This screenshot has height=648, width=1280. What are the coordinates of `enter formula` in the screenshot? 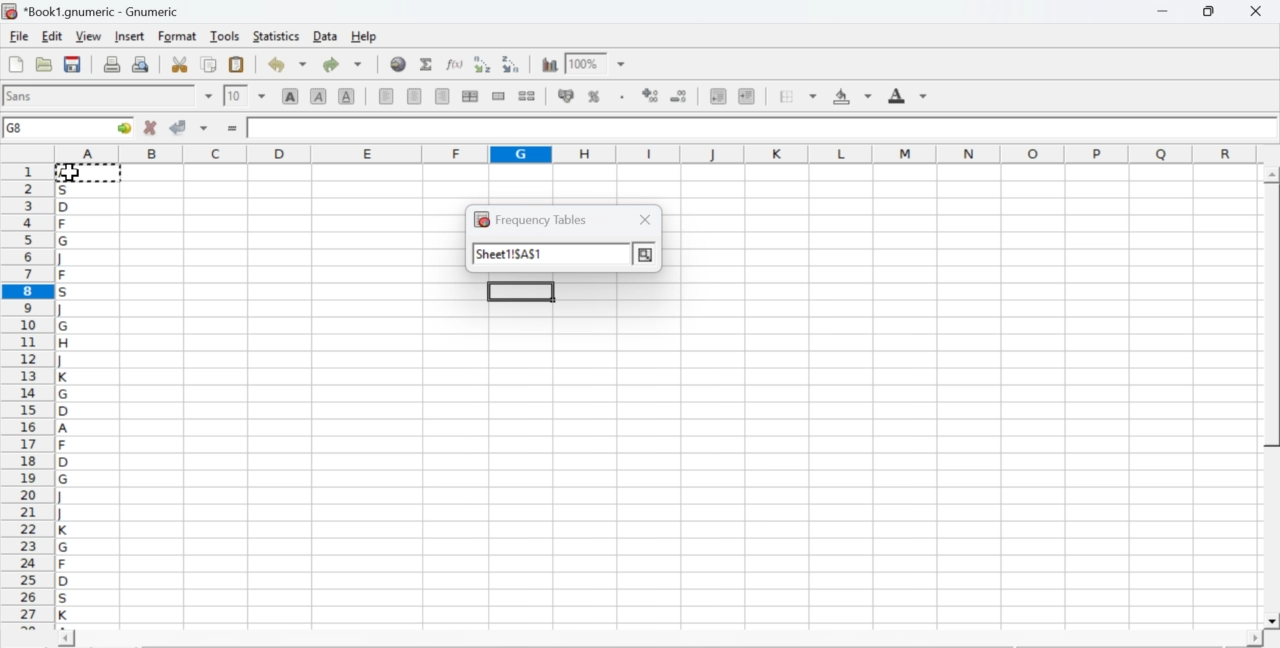 It's located at (234, 129).